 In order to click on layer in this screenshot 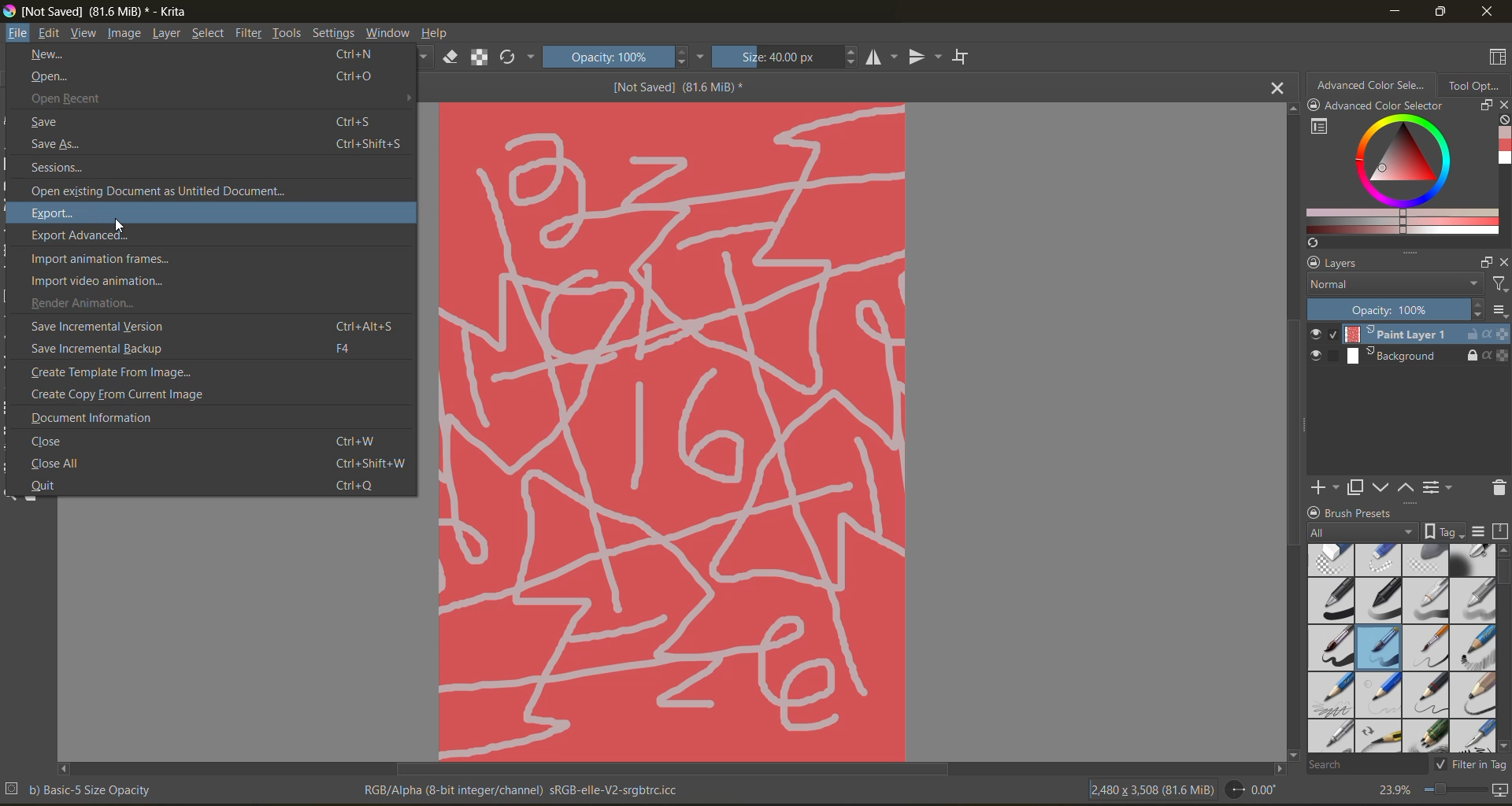, I will do `click(1410, 357)`.